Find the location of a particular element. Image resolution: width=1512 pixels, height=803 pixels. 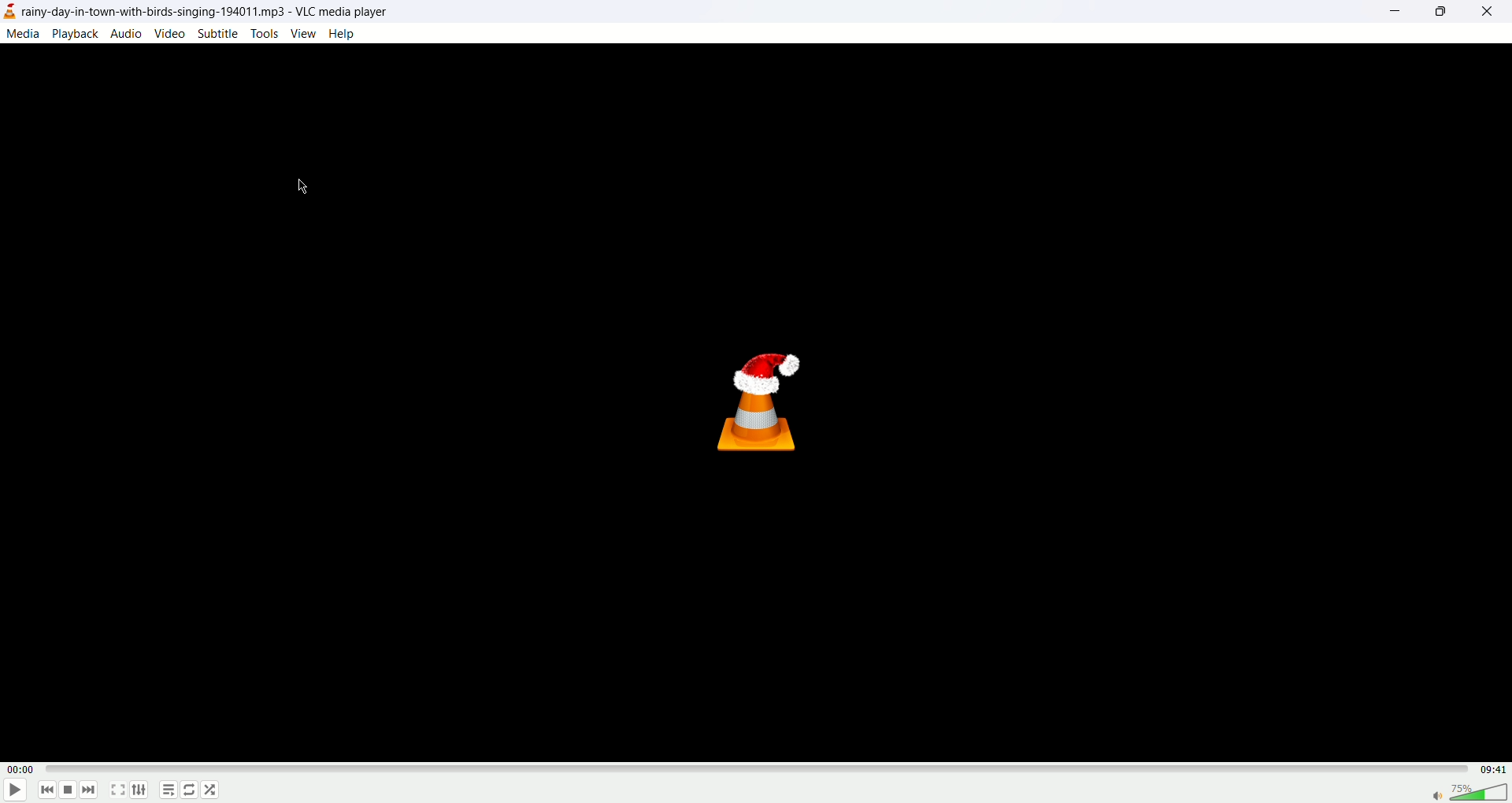

close is located at coordinates (1492, 14).